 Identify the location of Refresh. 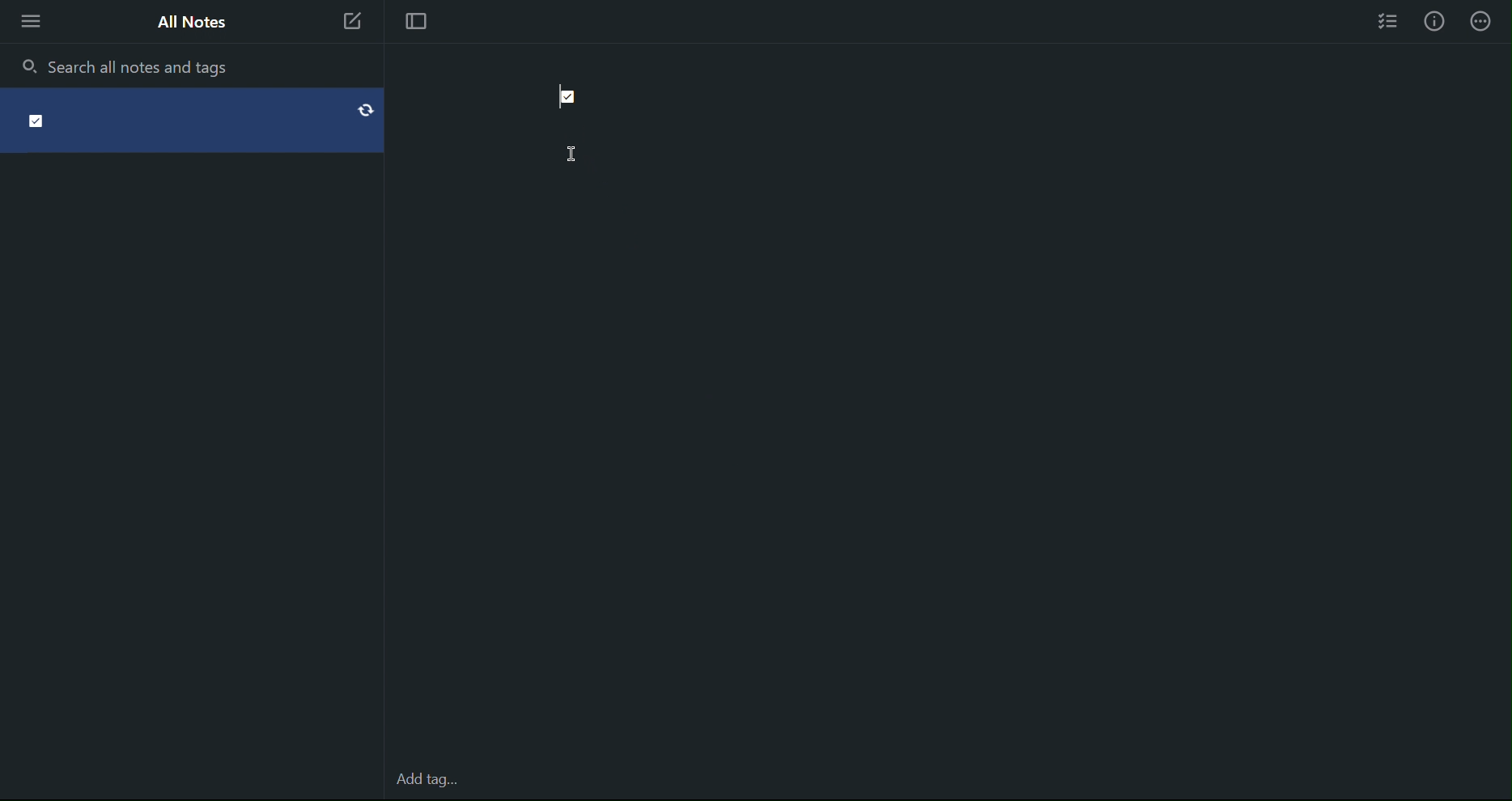
(365, 112).